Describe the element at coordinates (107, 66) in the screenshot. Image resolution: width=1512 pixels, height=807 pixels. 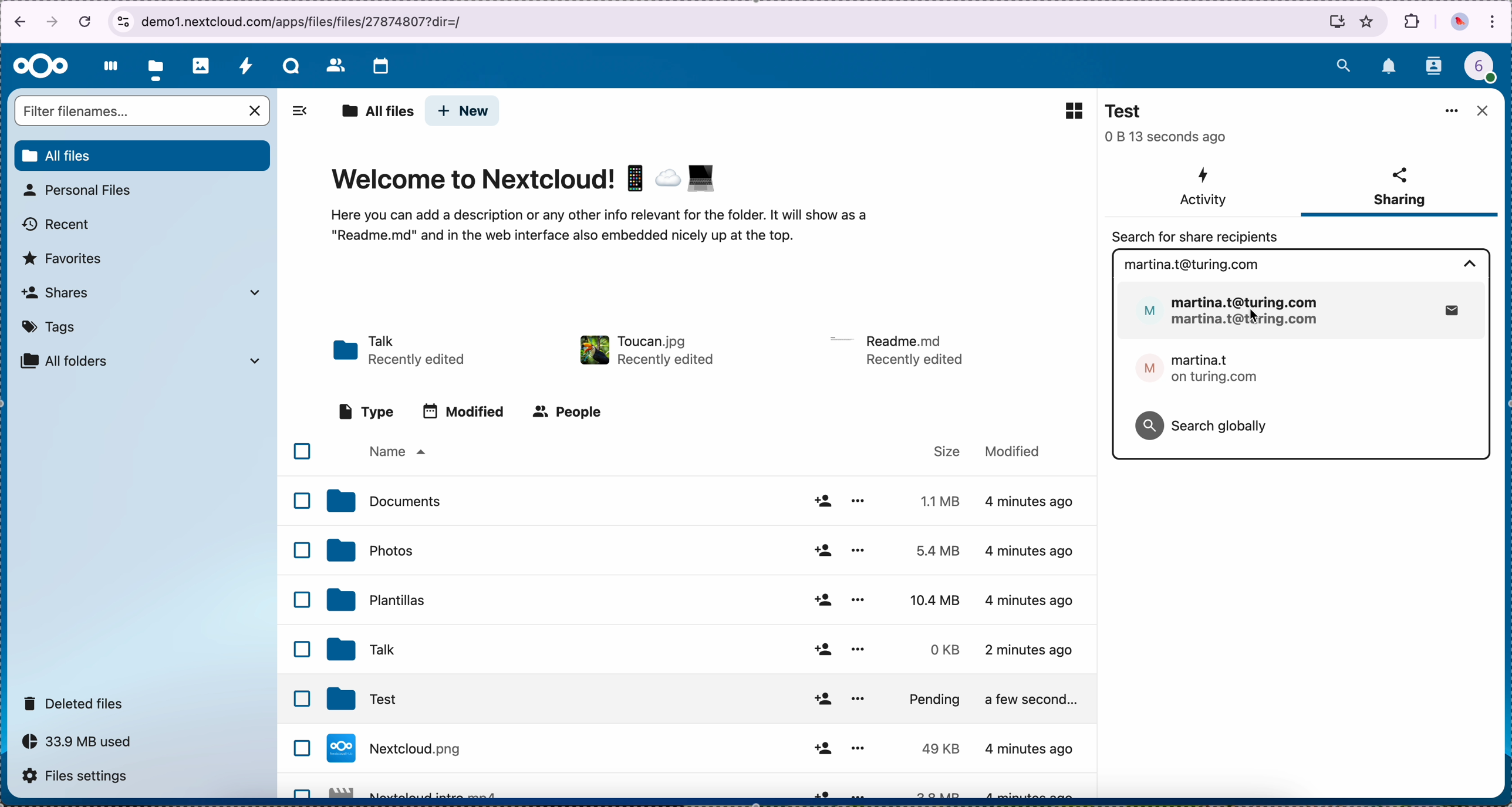
I see `dashboard` at that location.